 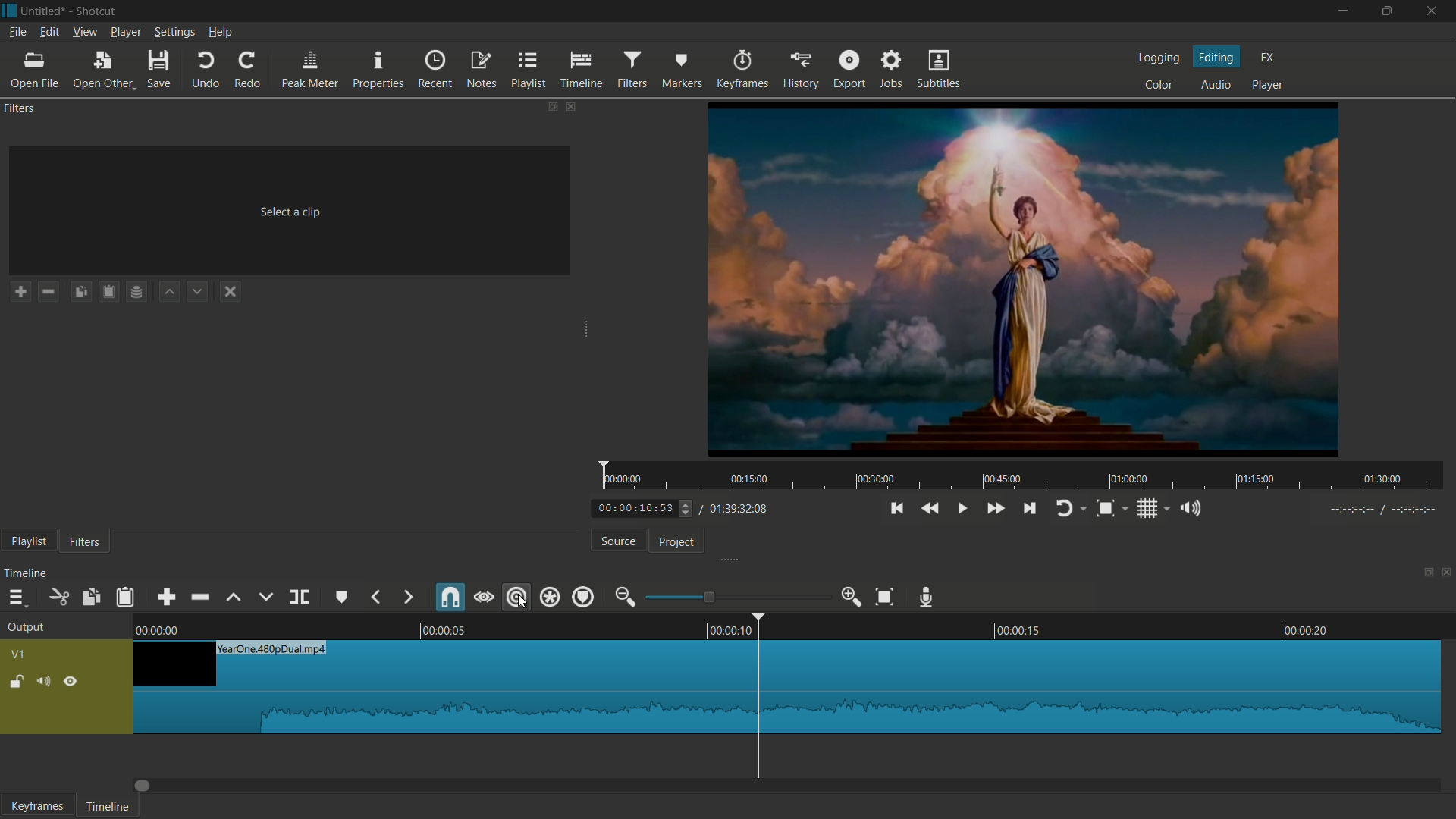 What do you see at coordinates (201, 597) in the screenshot?
I see `ripple delete` at bounding box center [201, 597].